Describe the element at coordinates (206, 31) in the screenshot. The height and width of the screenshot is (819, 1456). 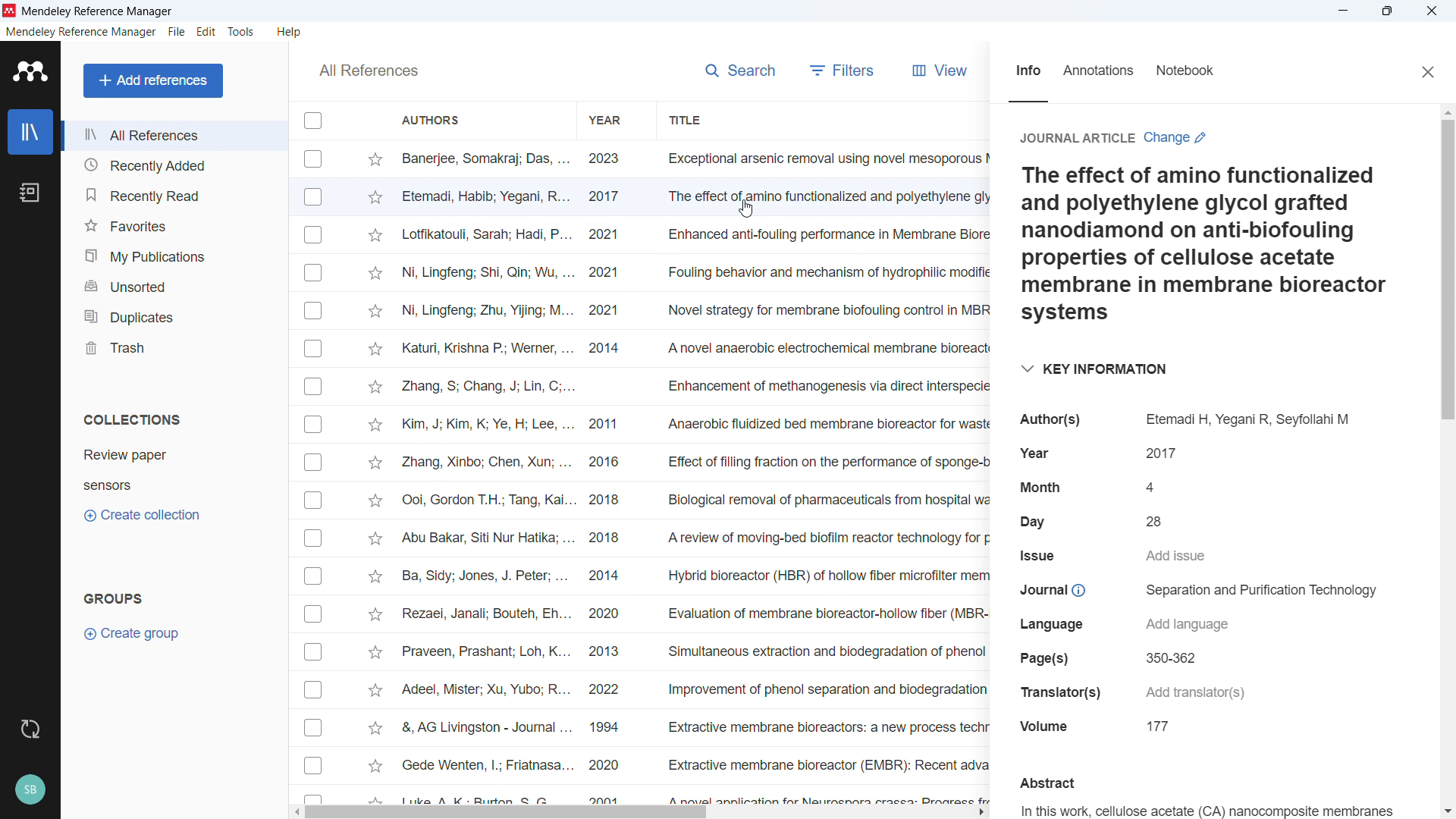
I see `edit` at that location.